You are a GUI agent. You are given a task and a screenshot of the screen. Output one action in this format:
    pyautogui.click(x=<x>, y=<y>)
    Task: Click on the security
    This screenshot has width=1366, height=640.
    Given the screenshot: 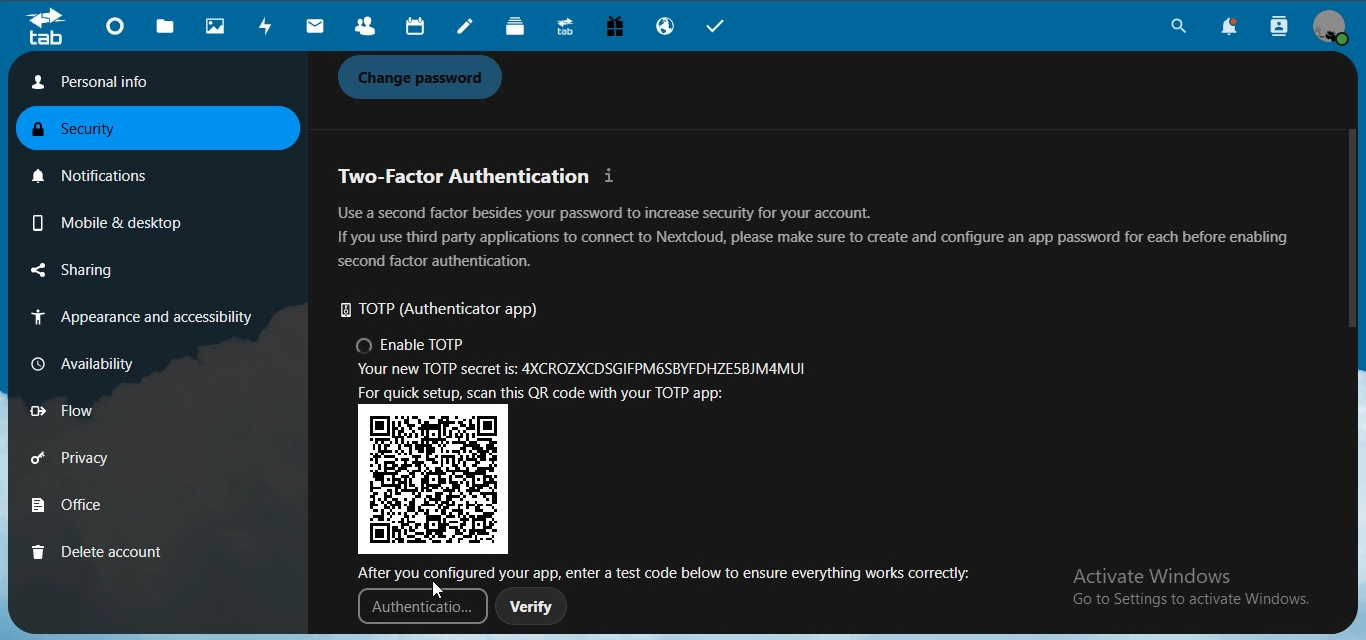 What is the action you would take?
    pyautogui.click(x=89, y=131)
    